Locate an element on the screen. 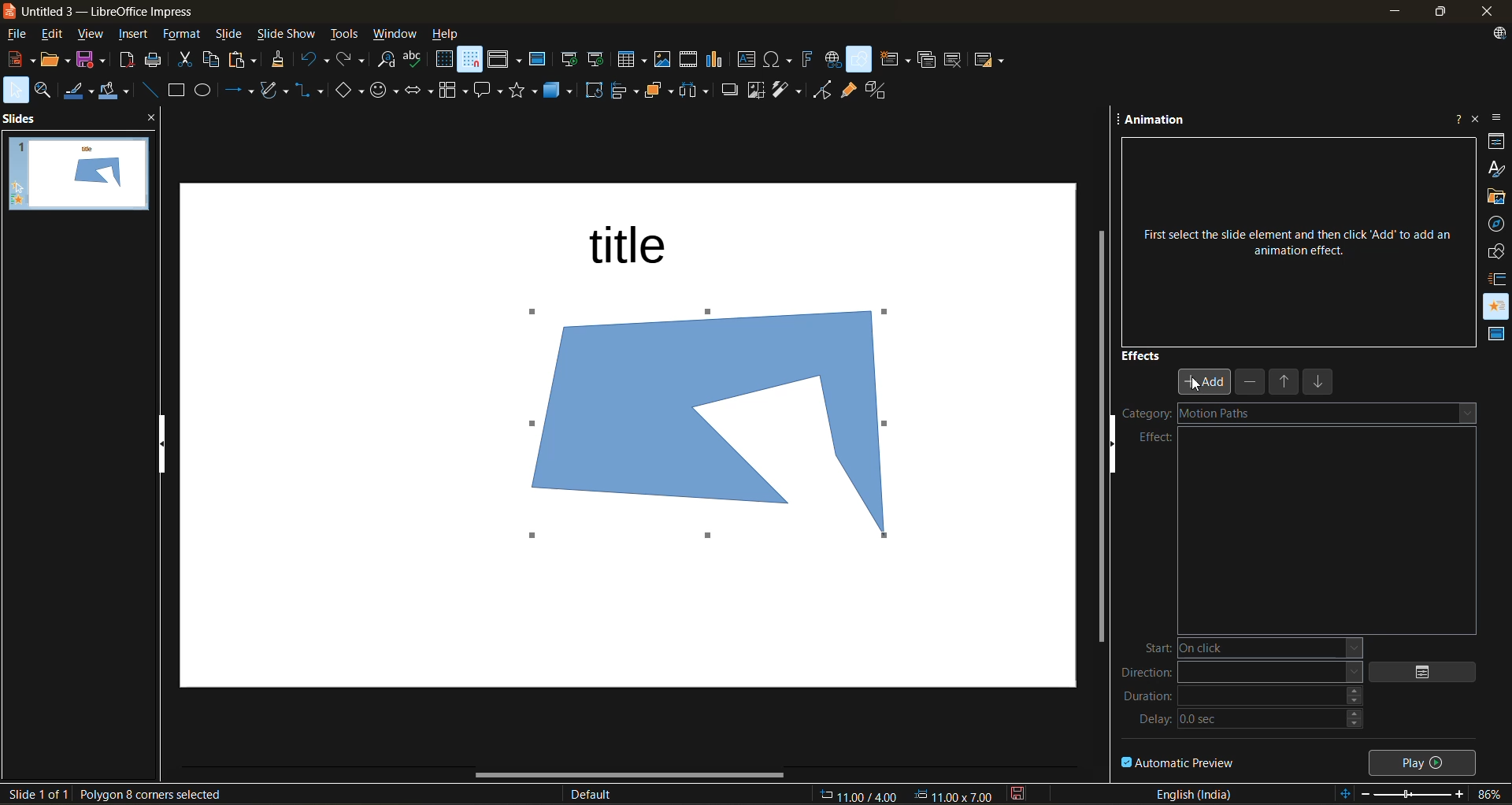  more options is located at coordinates (1465, 142).